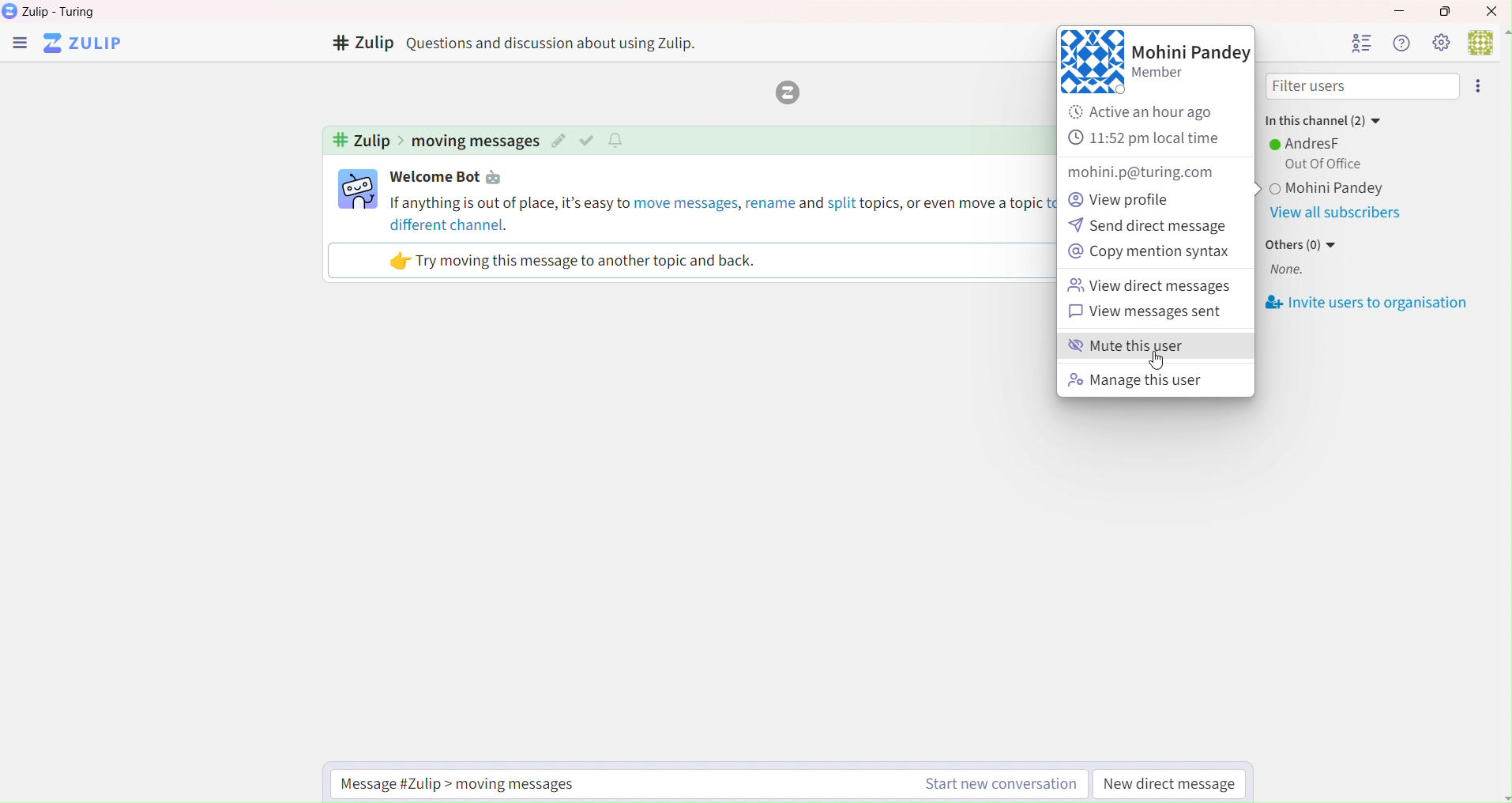 The width and height of the screenshot is (1512, 803). I want to click on copy mentions syntax, so click(1149, 254).